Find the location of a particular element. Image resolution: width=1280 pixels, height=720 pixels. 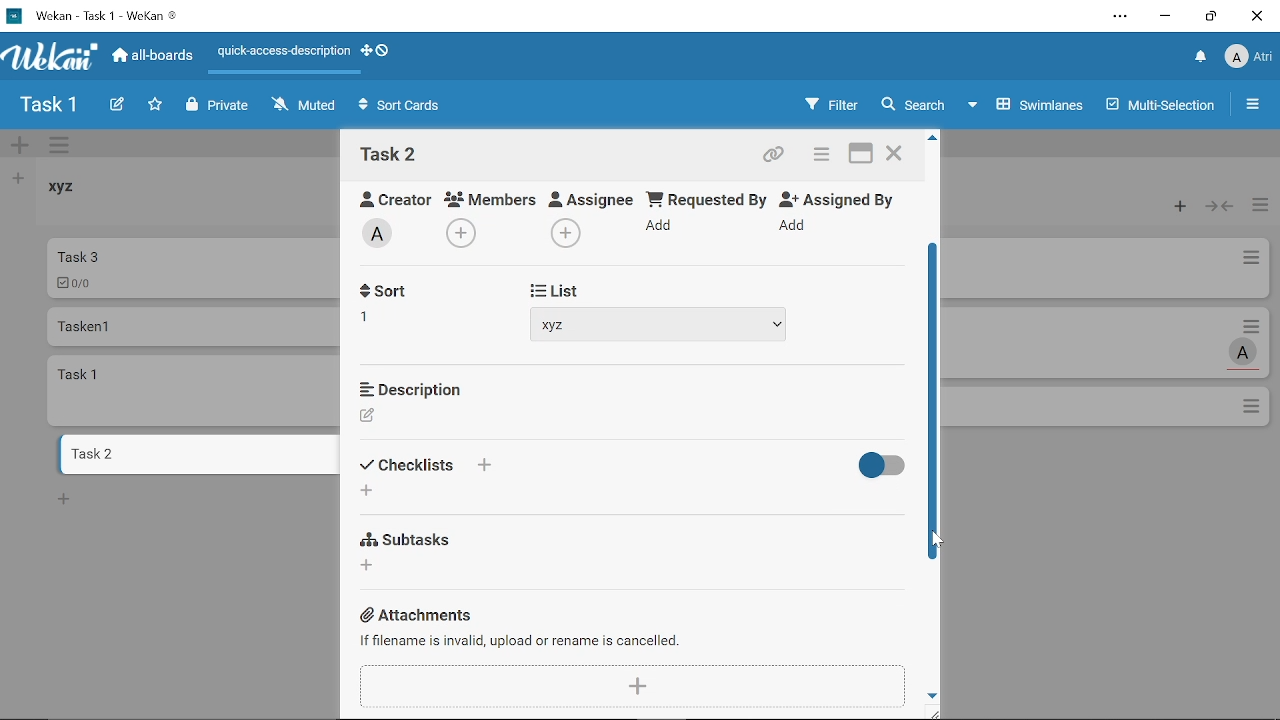

Add attachments is located at coordinates (635, 685).